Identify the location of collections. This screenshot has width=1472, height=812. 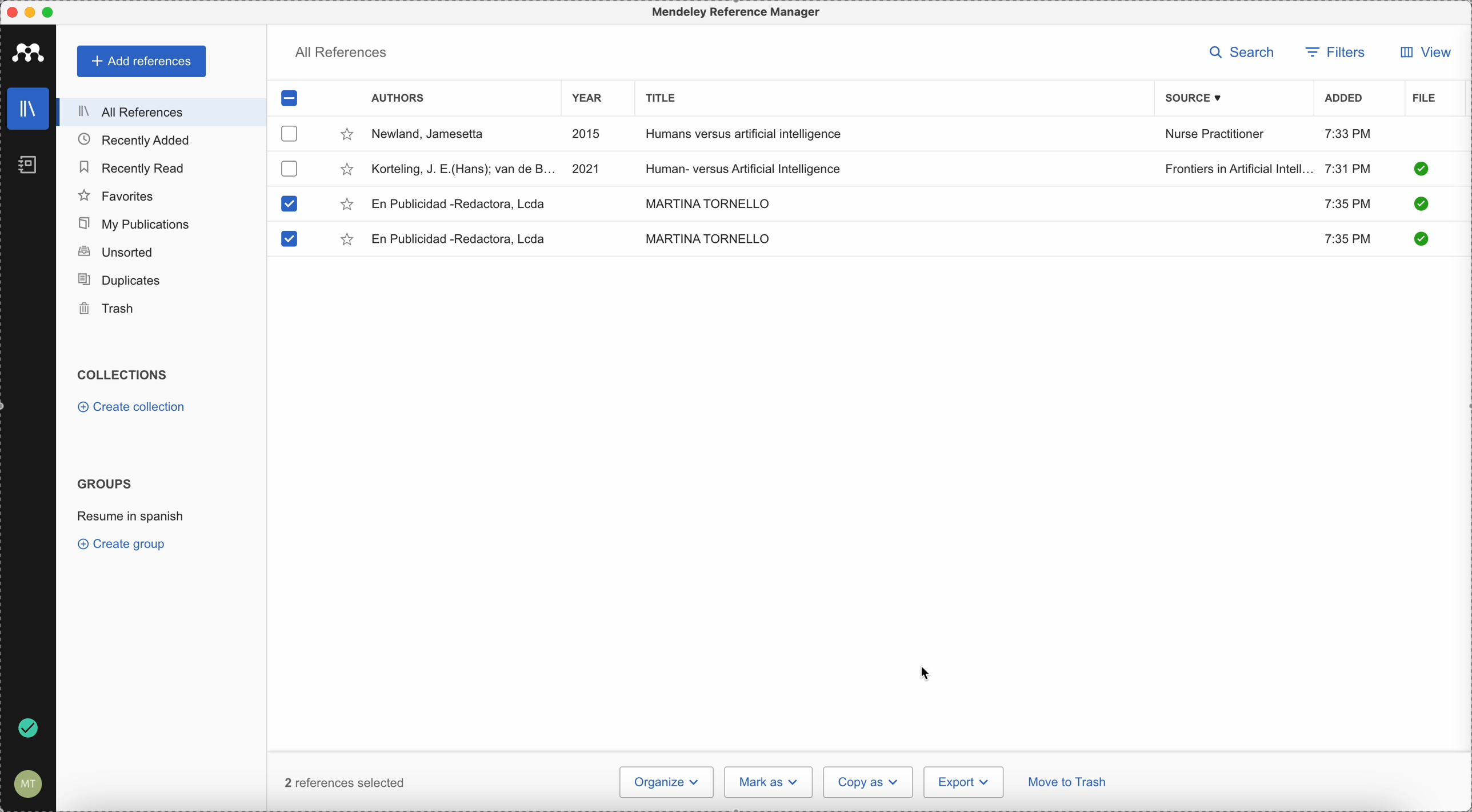
(125, 375).